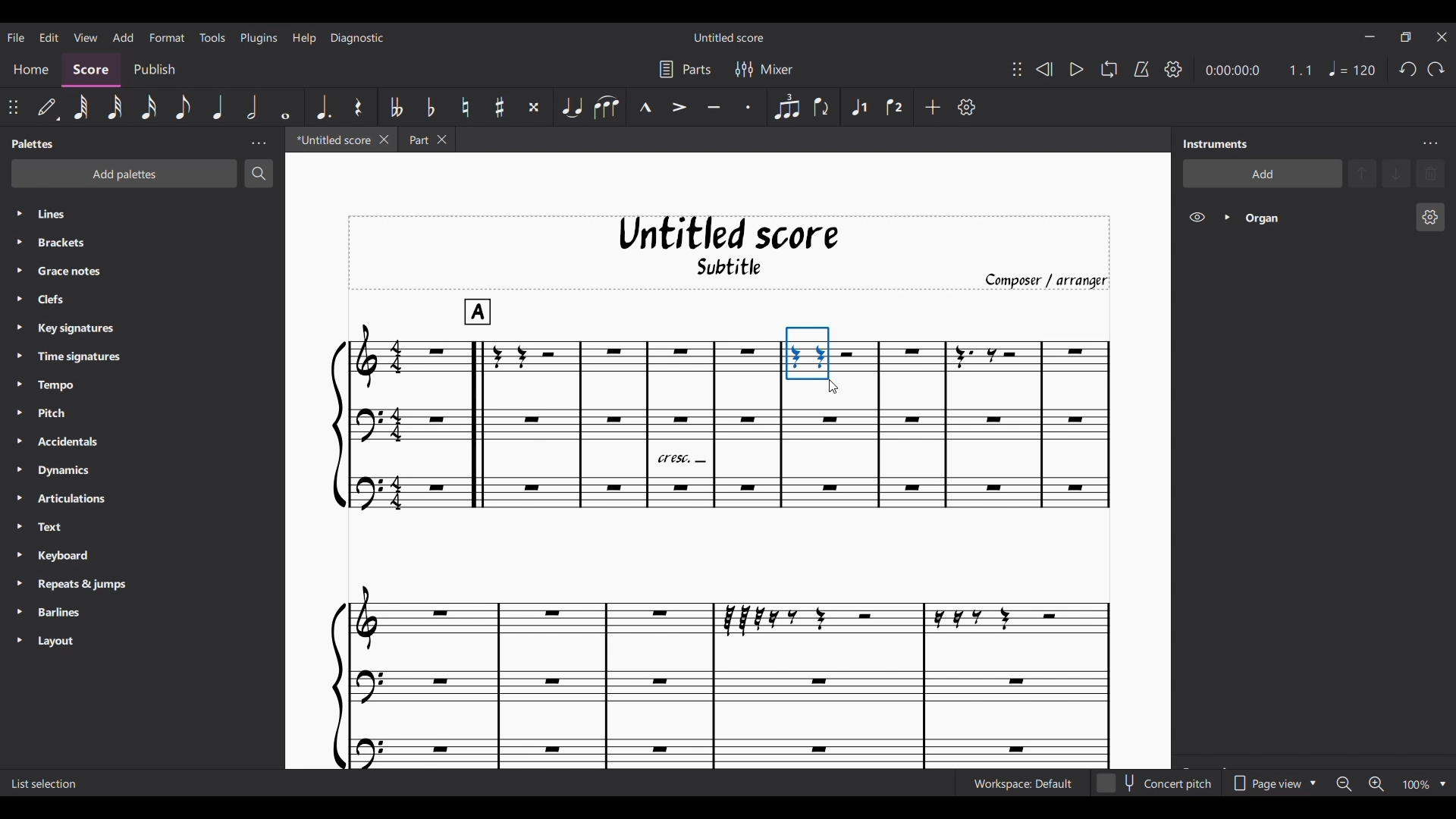 This screenshot has height=819, width=1456. Describe the element at coordinates (1345, 784) in the screenshot. I see `Zoom out` at that location.